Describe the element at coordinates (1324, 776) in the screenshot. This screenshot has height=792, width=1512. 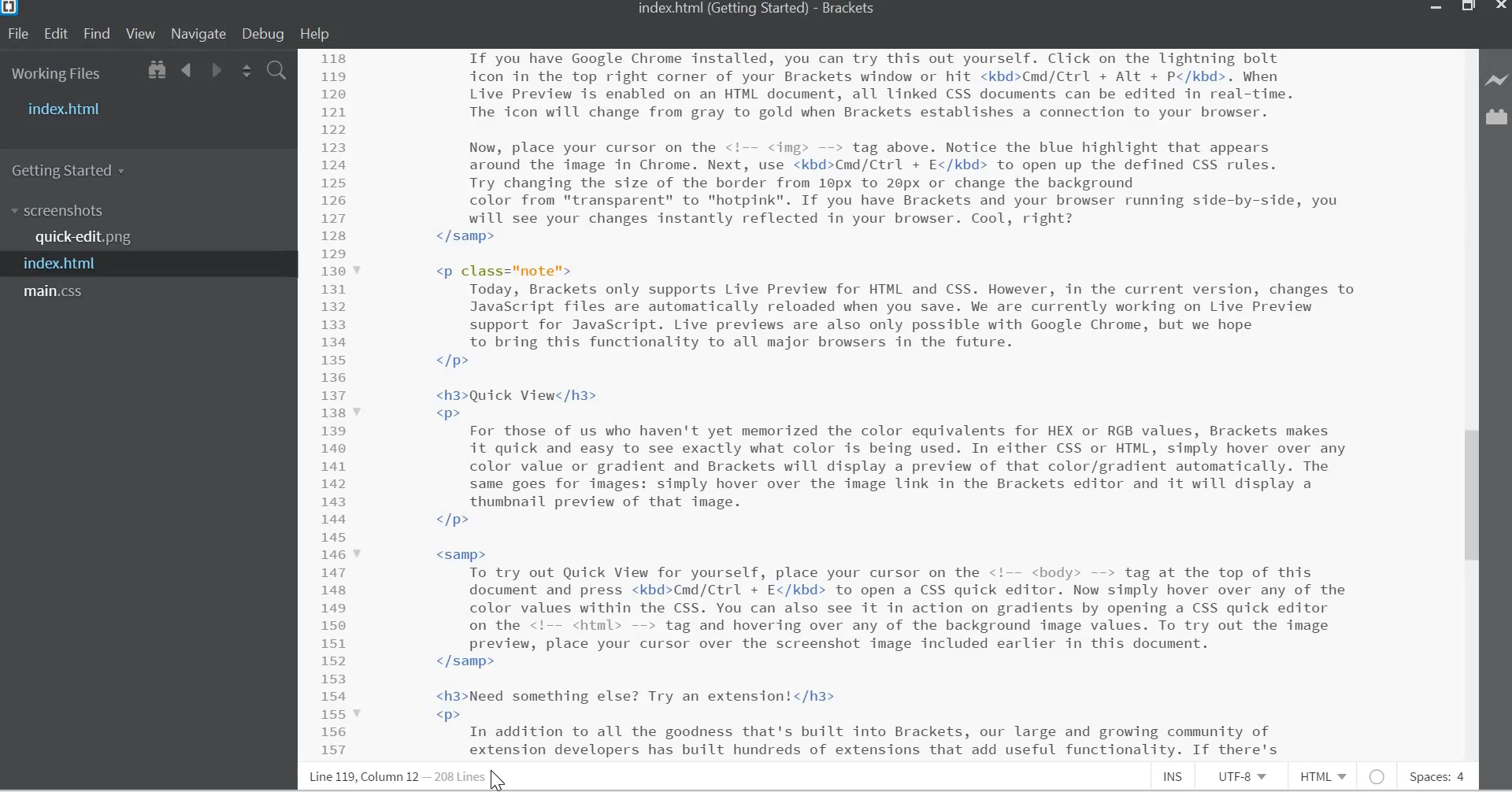
I see `HTML` at that location.